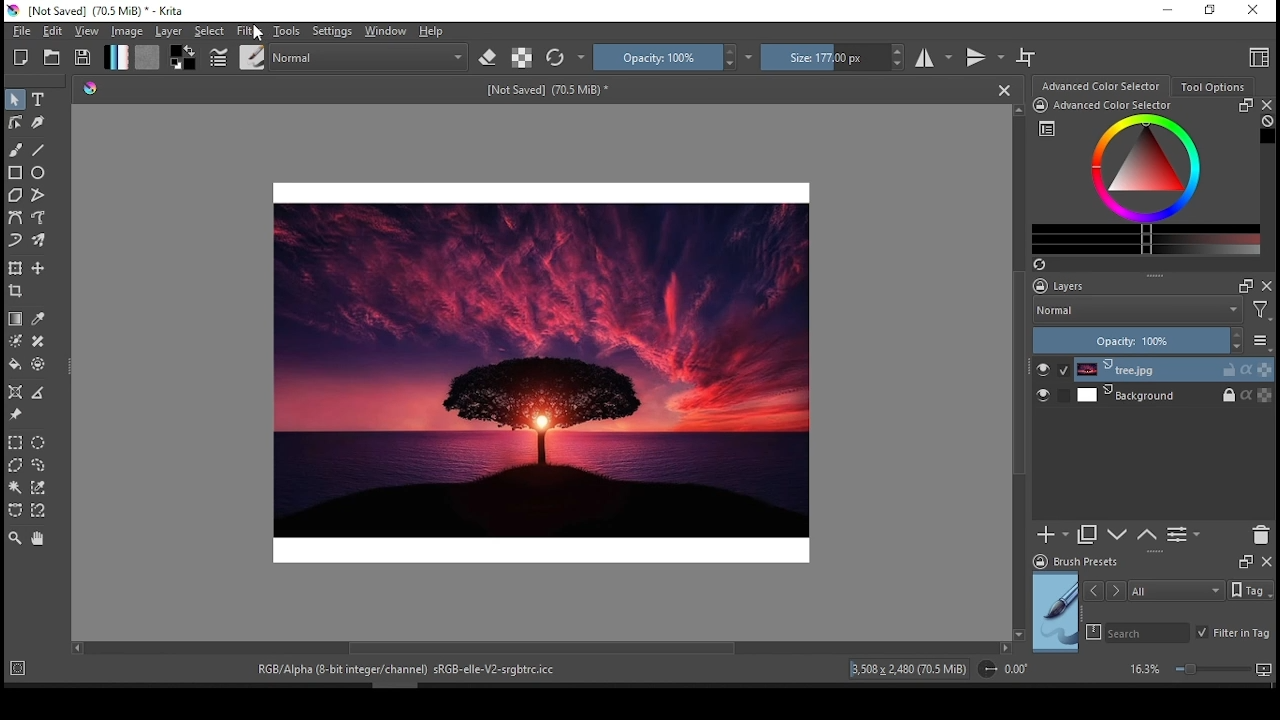 Image resolution: width=1280 pixels, height=720 pixels. Describe the element at coordinates (1255, 56) in the screenshot. I see `choose workspace` at that location.